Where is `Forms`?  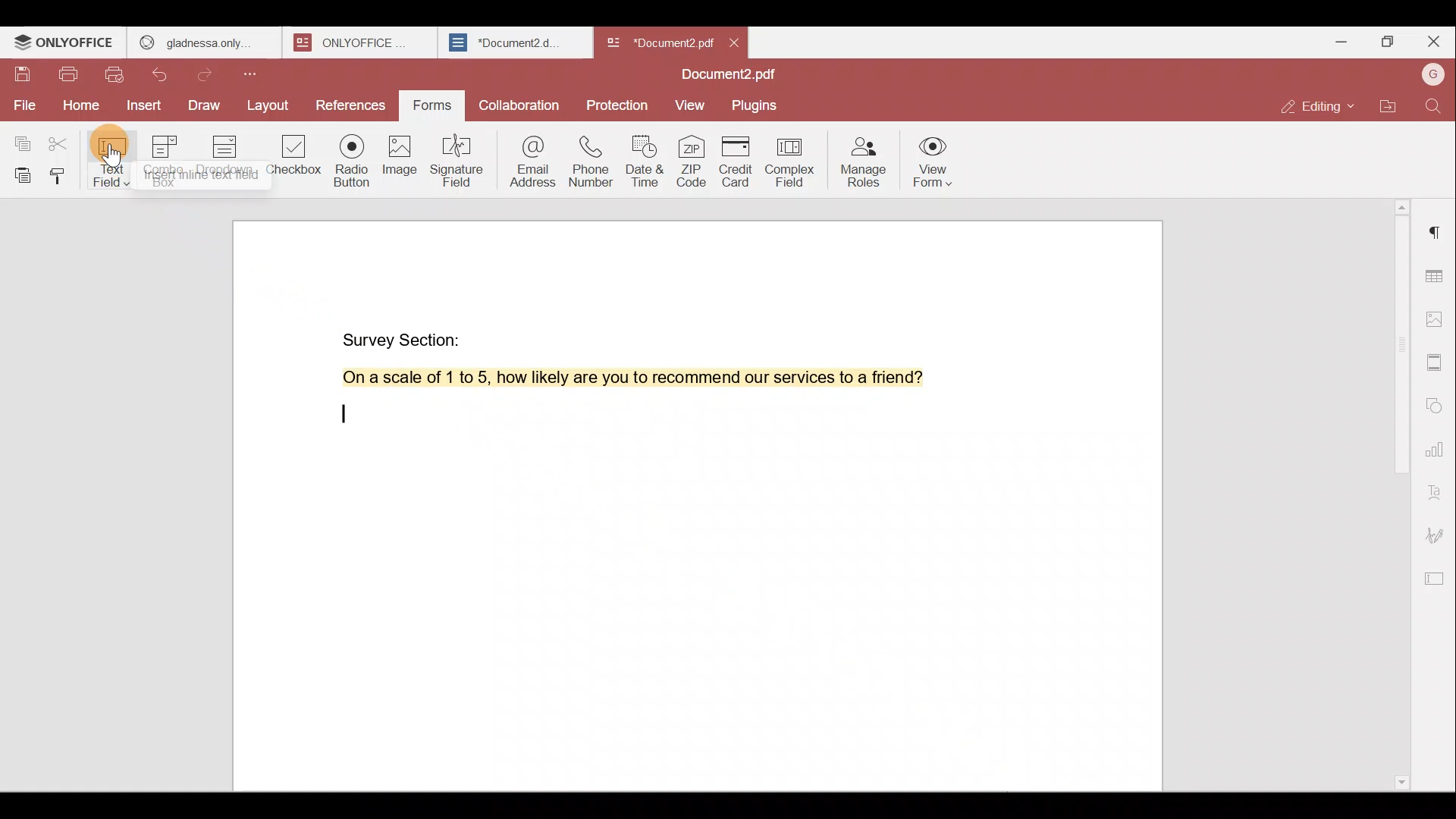
Forms is located at coordinates (434, 106).